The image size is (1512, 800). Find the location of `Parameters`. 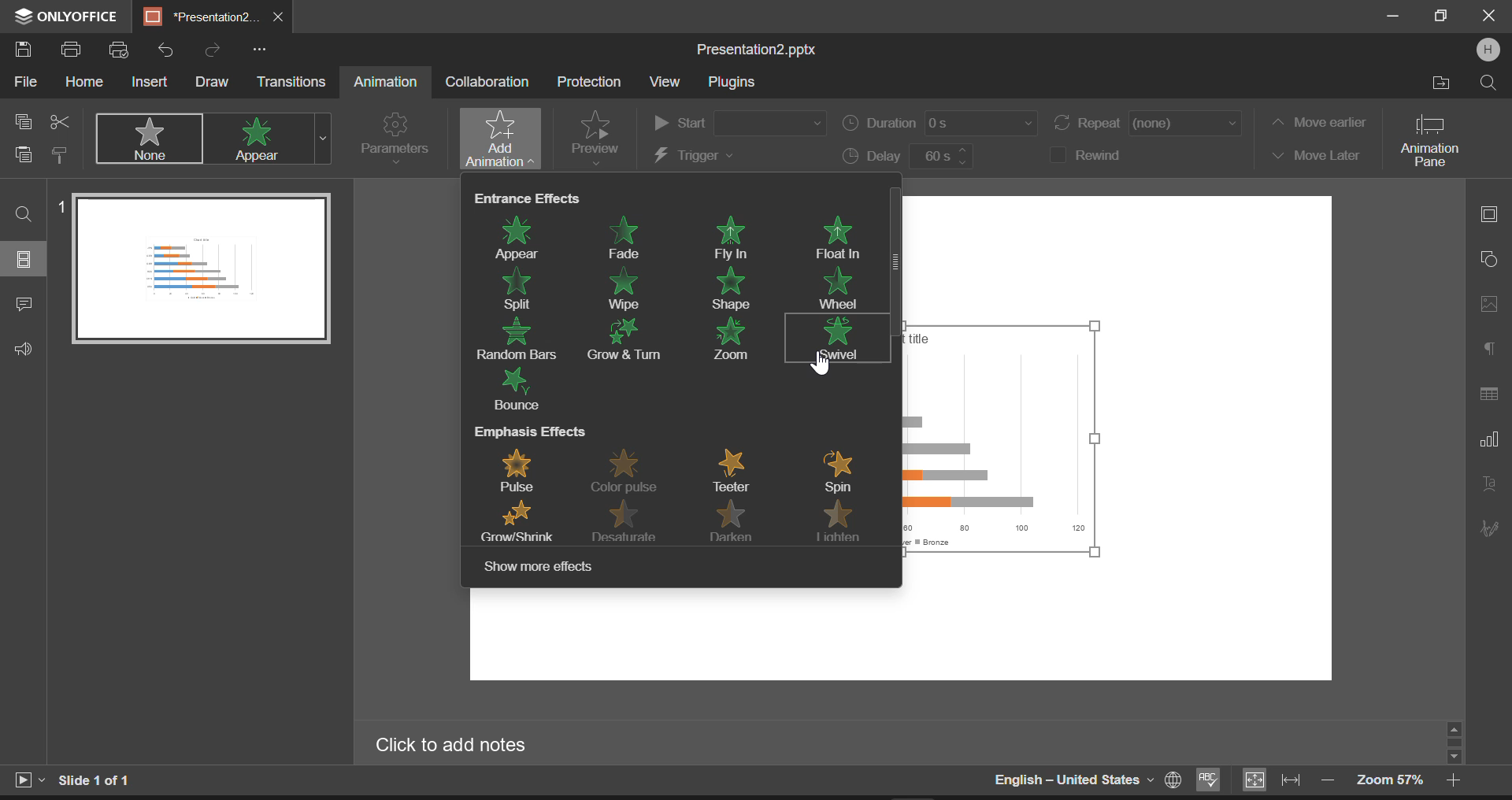

Parameters is located at coordinates (394, 137).